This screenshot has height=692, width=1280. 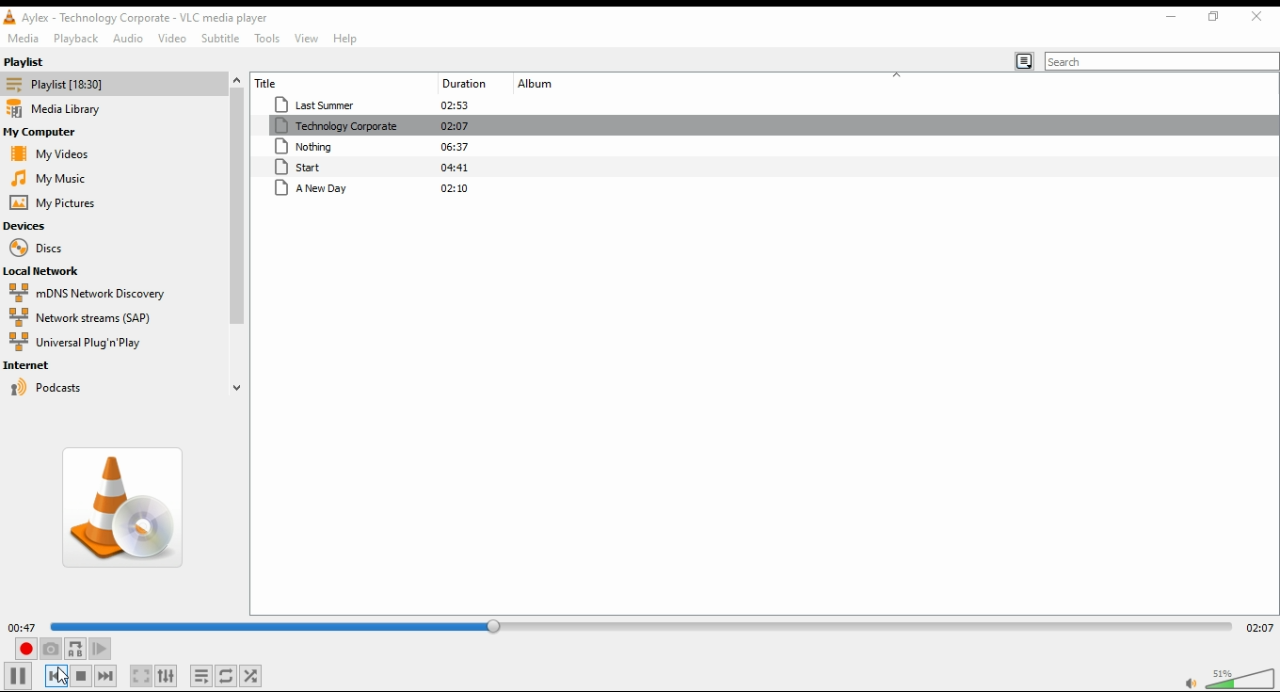 What do you see at coordinates (336, 126) in the screenshot?
I see `technology corporate` at bounding box center [336, 126].